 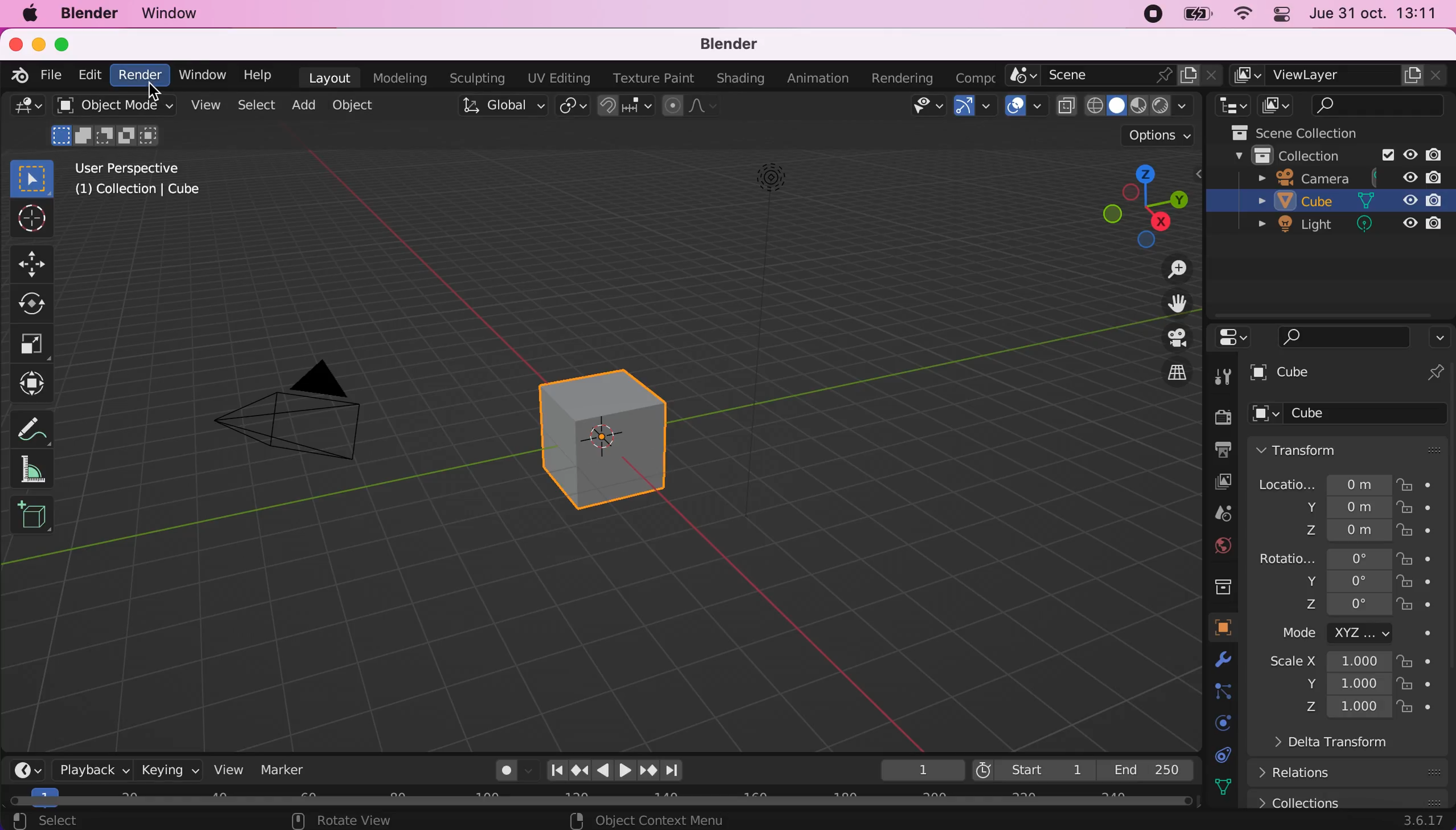 I want to click on location, so click(x=1324, y=481).